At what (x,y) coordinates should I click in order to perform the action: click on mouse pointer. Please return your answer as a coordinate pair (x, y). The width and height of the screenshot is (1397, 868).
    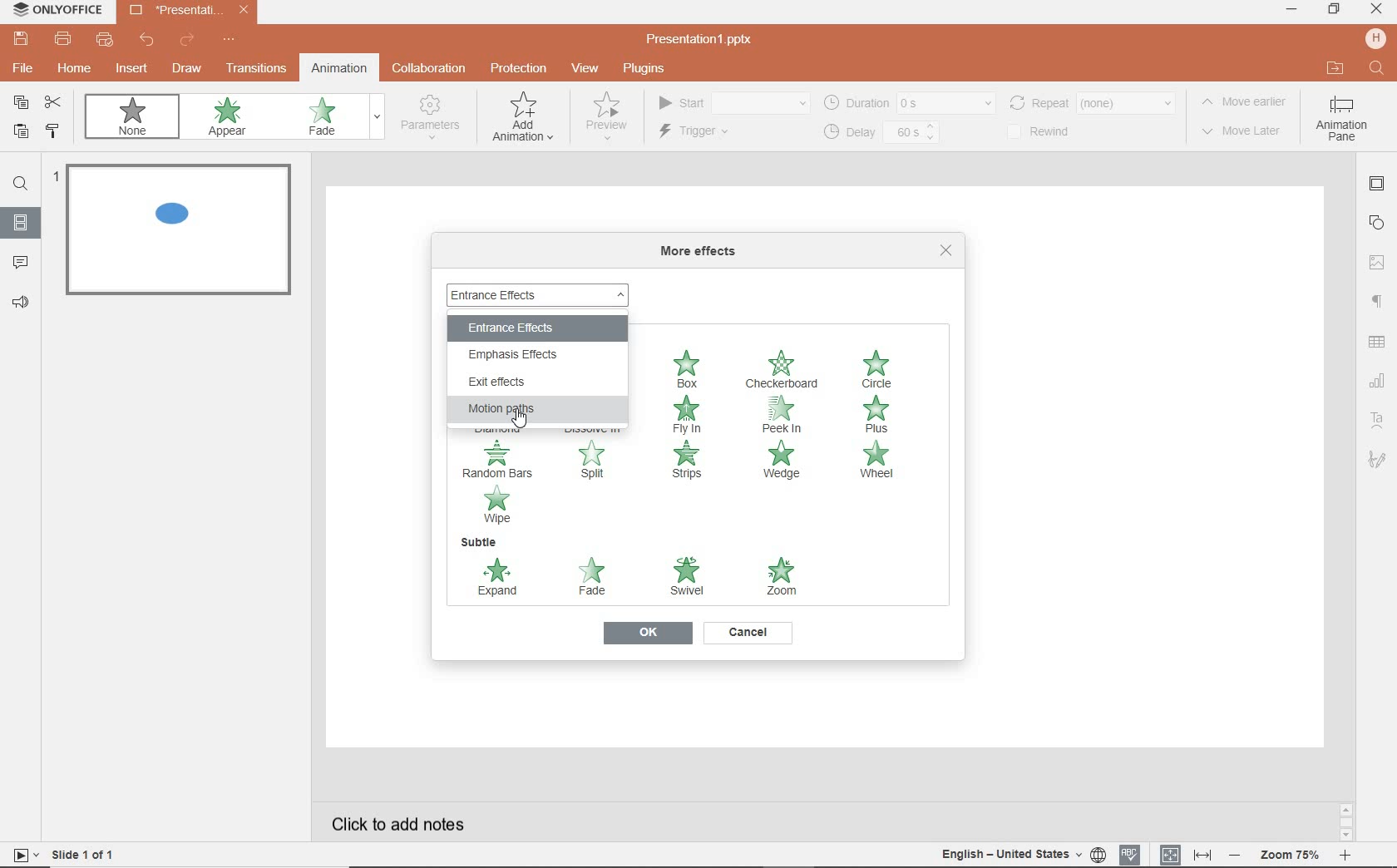
    Looking at the image, I should click on (521, 426).